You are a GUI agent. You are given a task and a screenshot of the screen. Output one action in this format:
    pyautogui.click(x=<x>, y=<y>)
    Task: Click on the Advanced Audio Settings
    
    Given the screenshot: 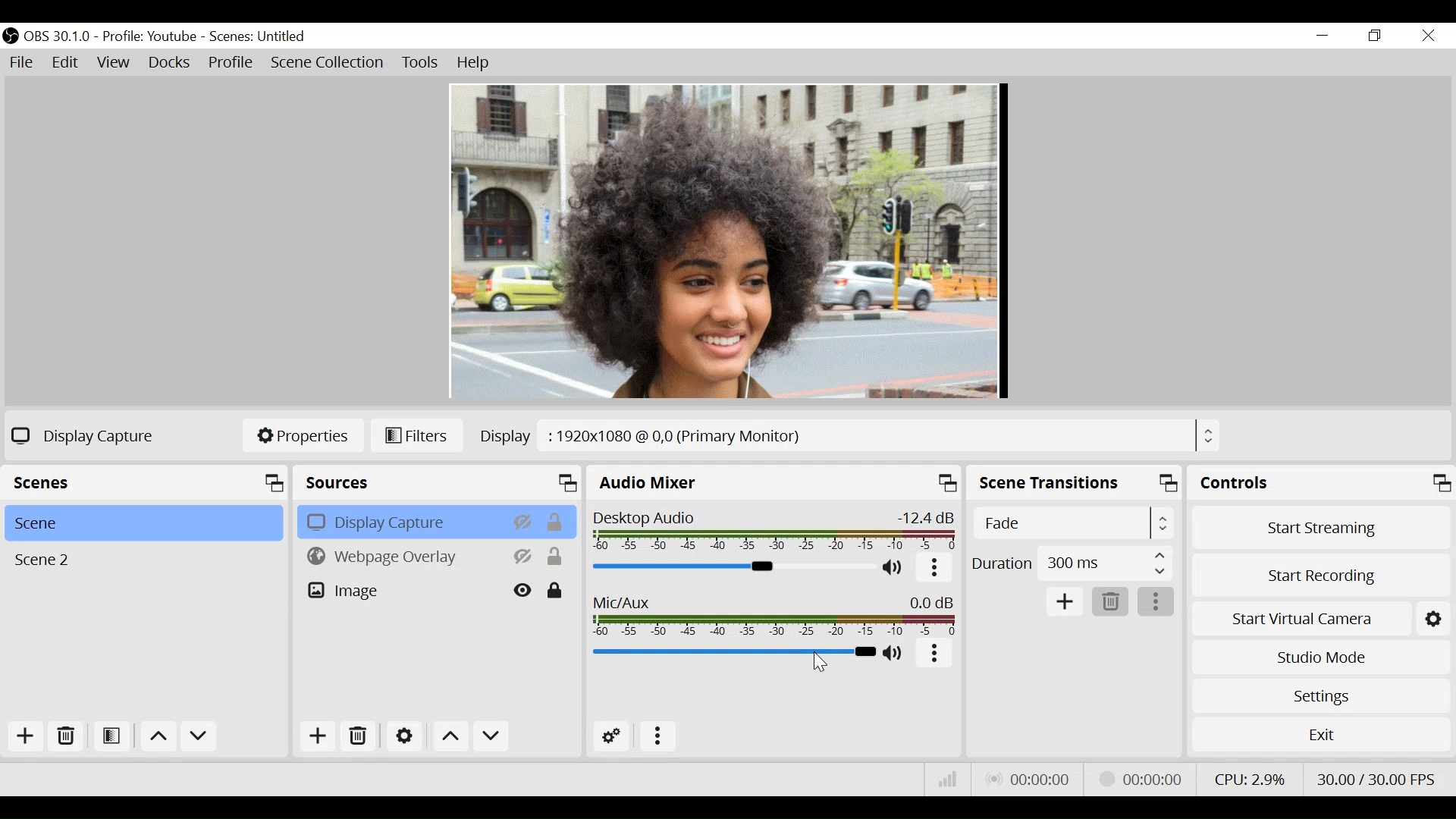 What is the action you would take?
    pyautogui.click(x=613, y=736)
    